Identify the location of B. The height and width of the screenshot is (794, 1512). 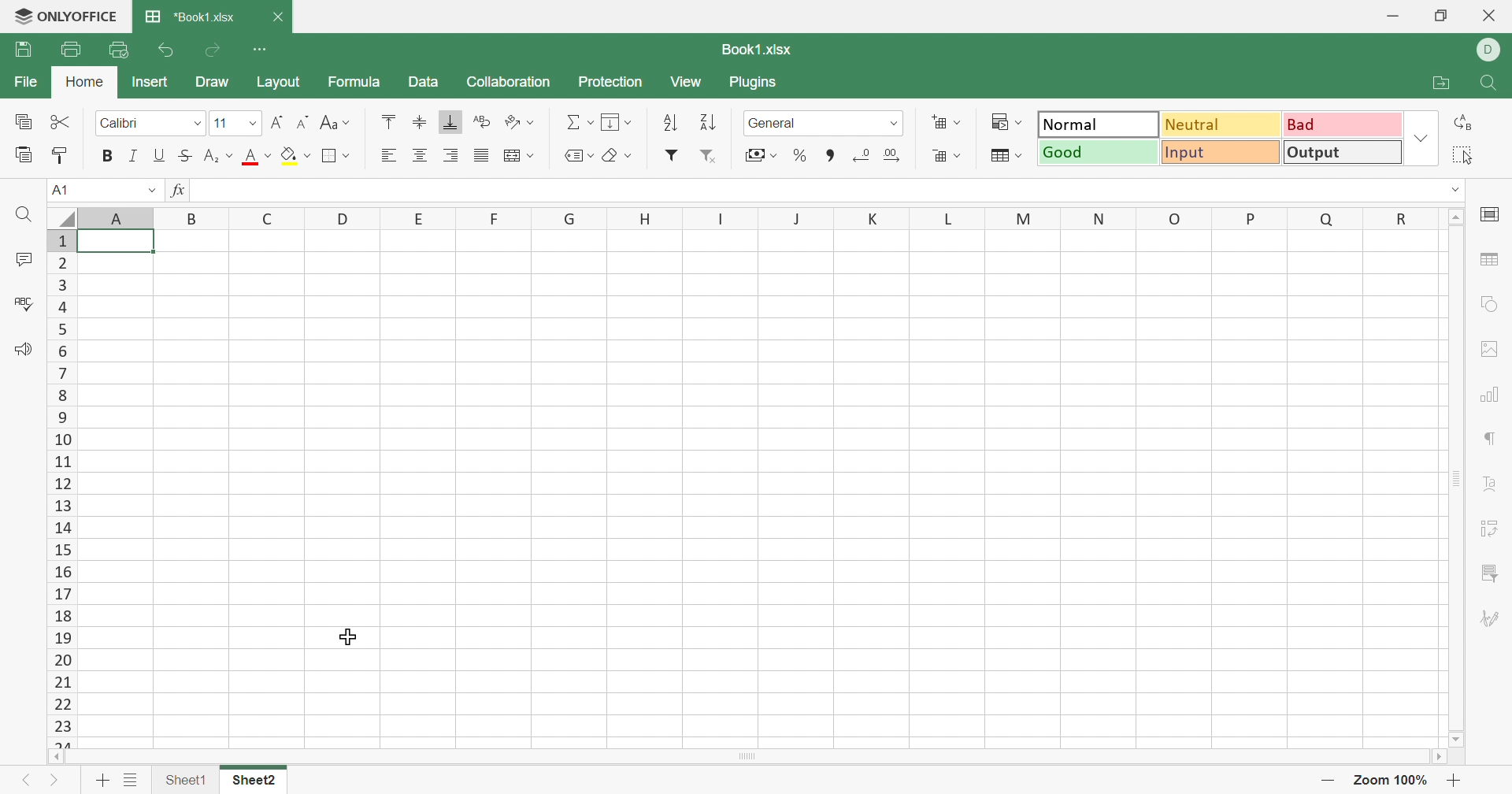
(189, 217).